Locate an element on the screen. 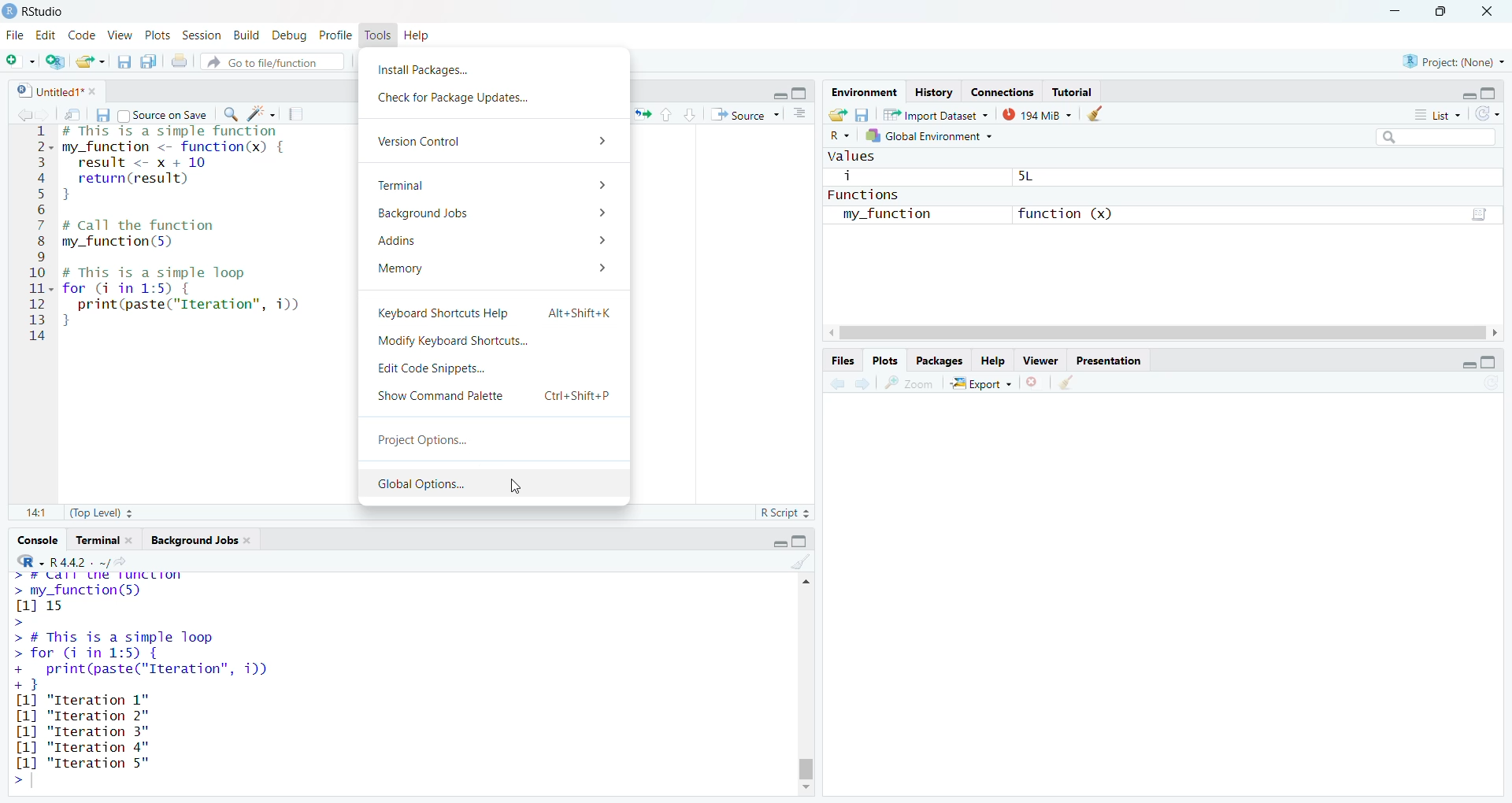  Background jobs is located at coordinates (194, 540).